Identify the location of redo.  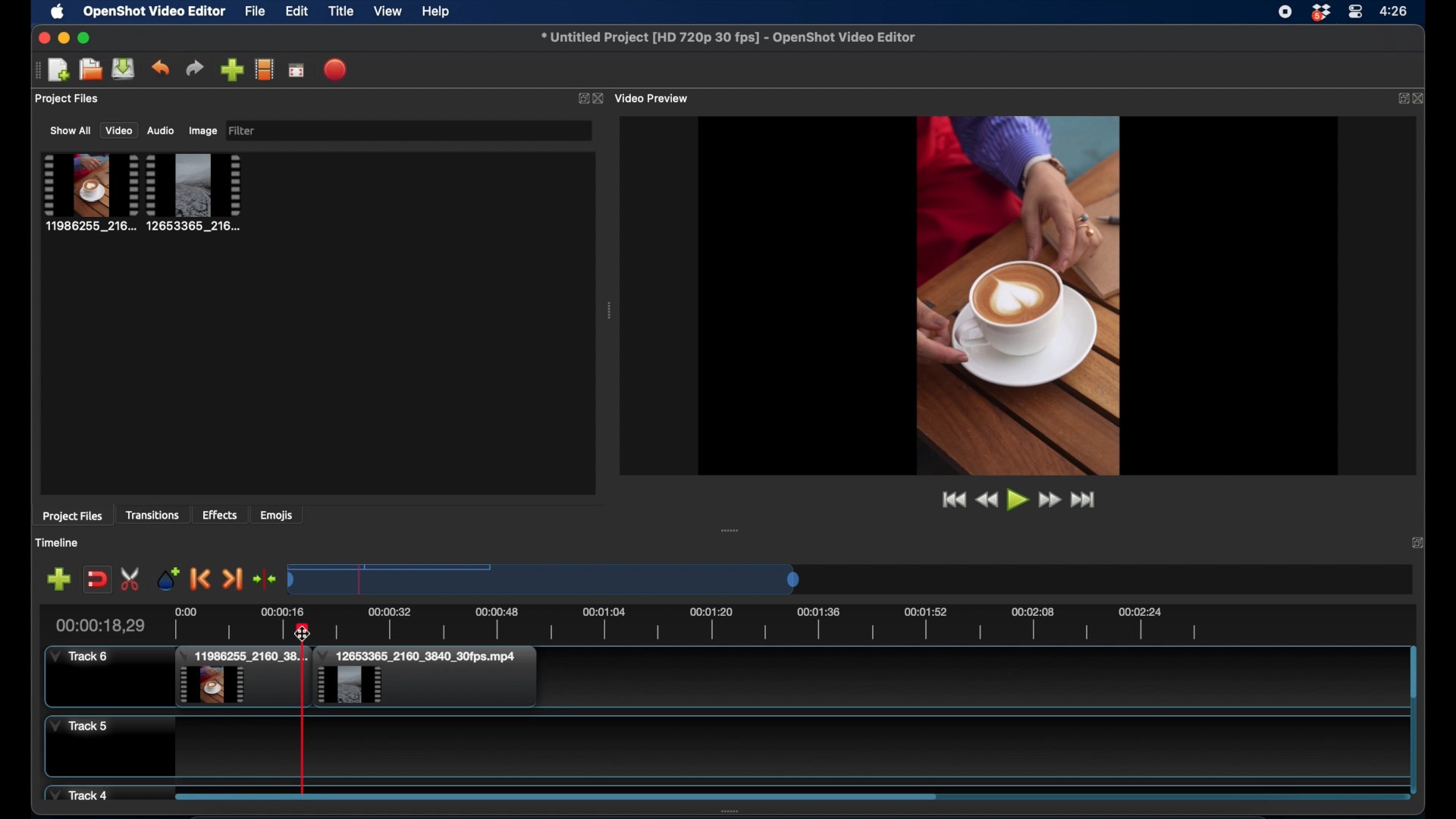
(195, 68).